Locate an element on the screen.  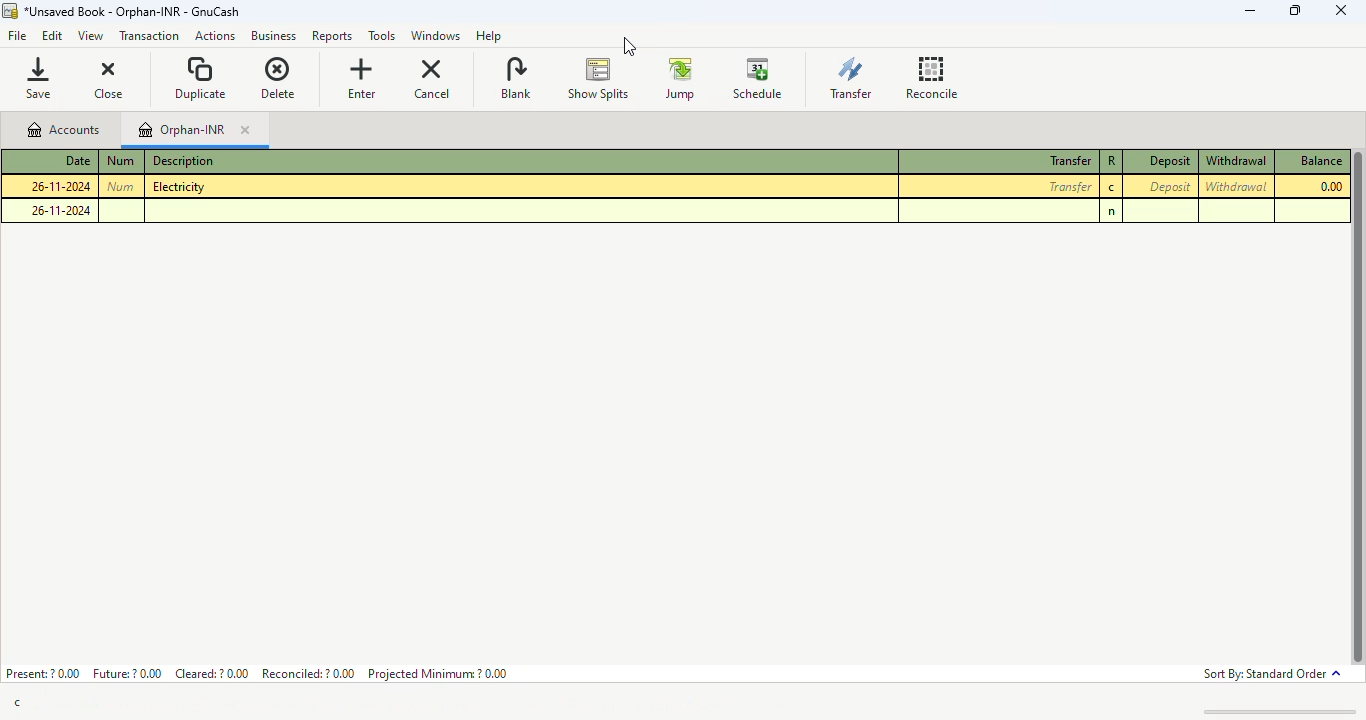
transaction is located at coordinates (149, 36).